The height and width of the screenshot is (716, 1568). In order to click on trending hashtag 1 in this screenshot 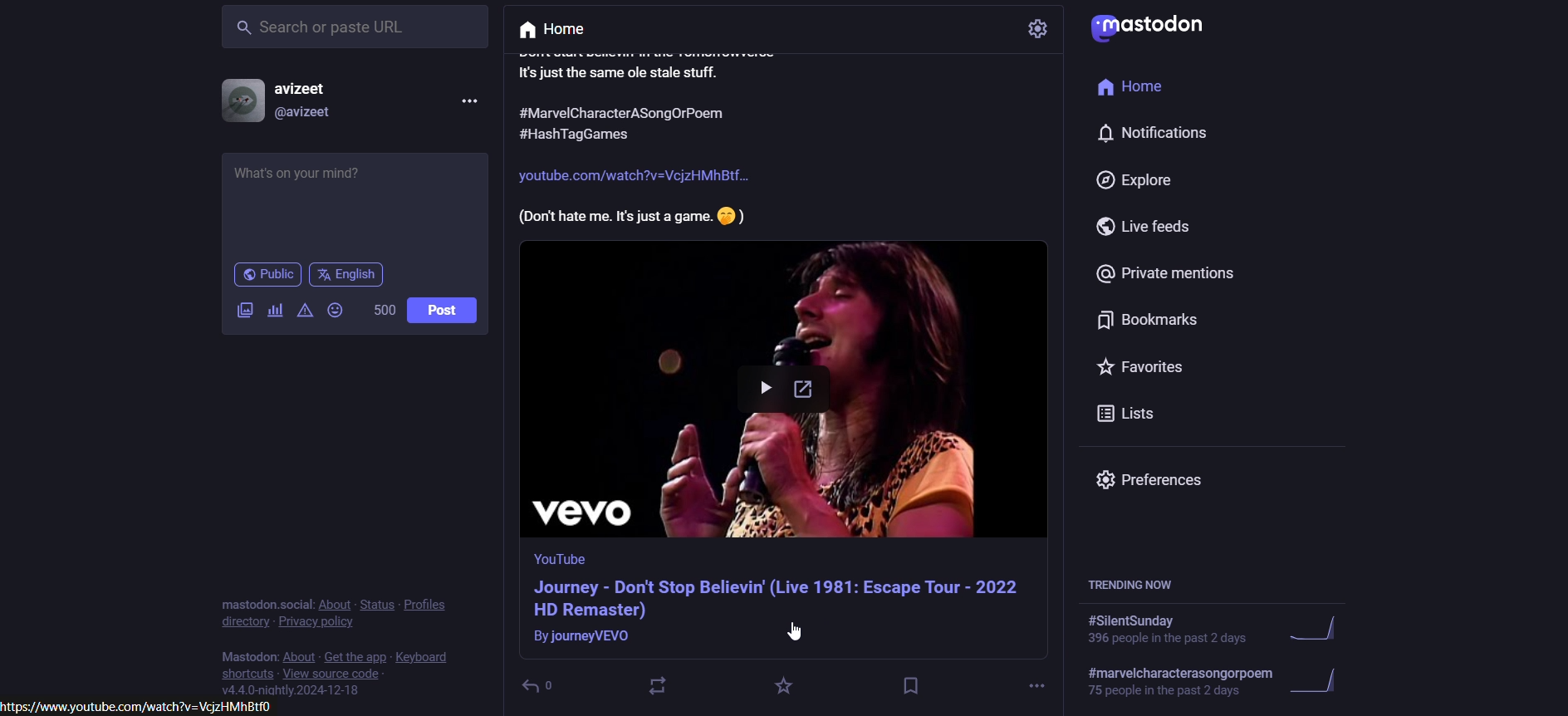, I will do `click(1213, 632)`.